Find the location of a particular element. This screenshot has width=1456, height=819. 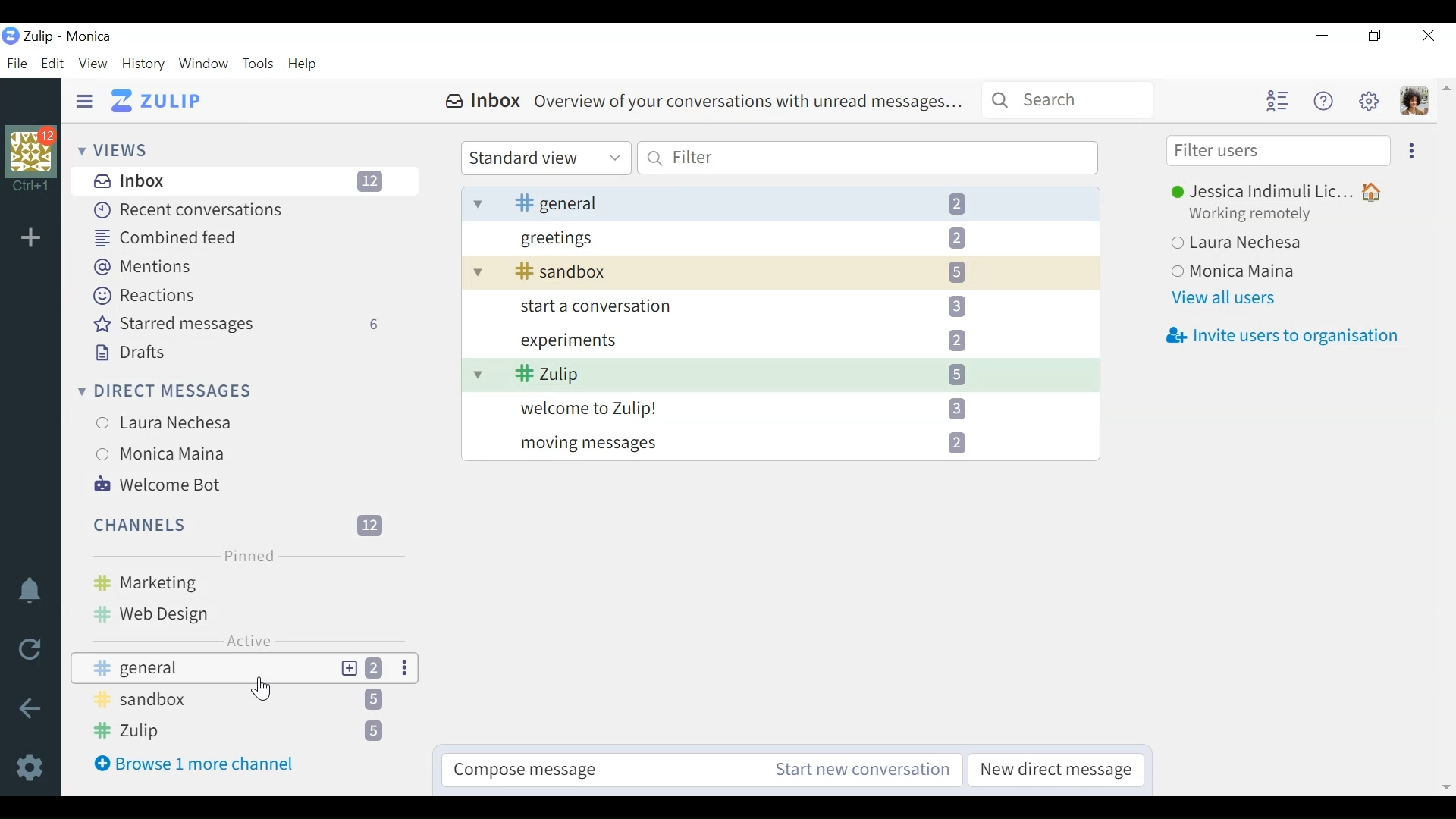

Drafts is located at coordinates (127, 353).